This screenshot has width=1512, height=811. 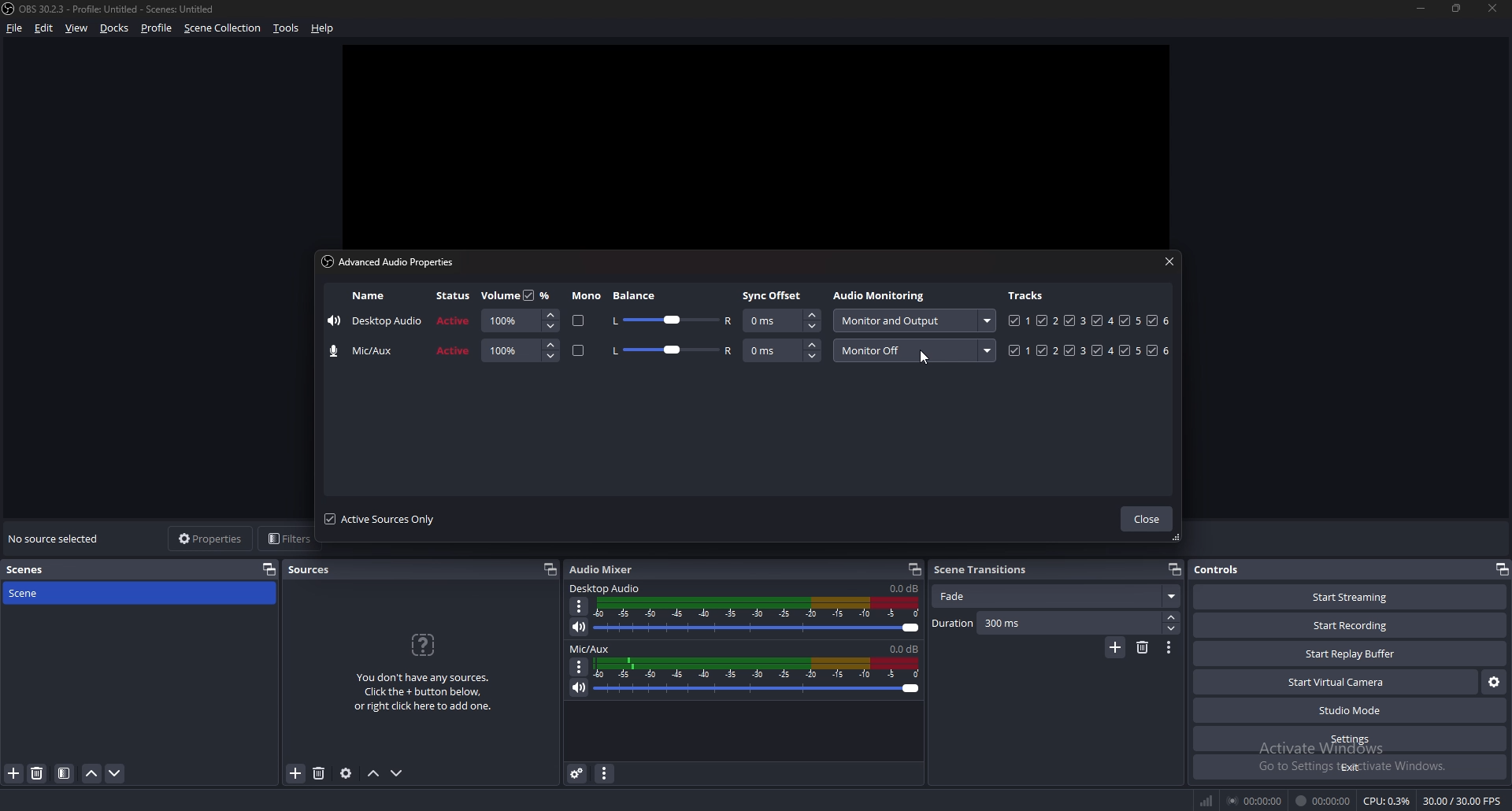 I want to click on move source up, so click(x=376, y=773).